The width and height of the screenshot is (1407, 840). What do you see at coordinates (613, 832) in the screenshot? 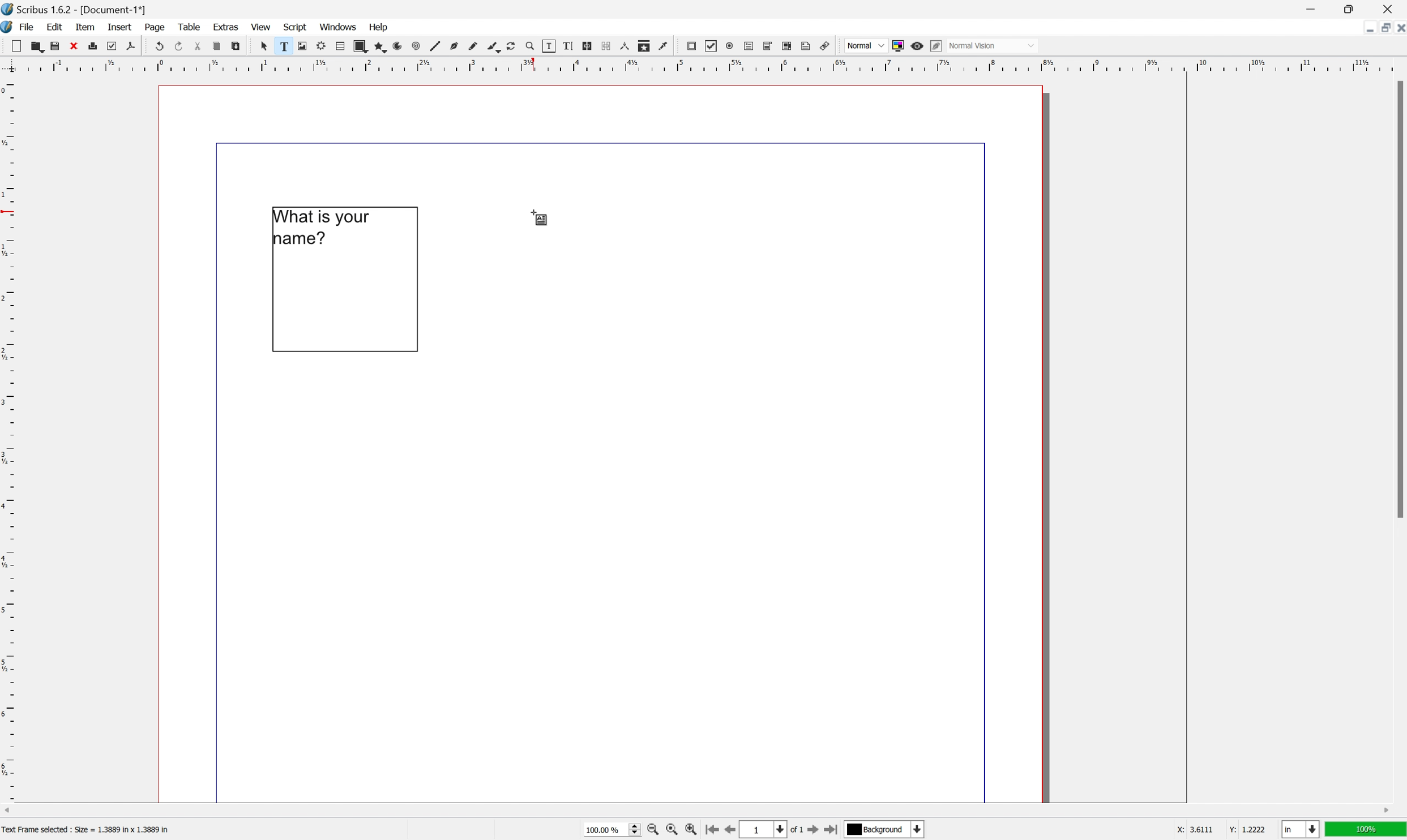
I see `select current zoom level` at bounding box center [613, 832].